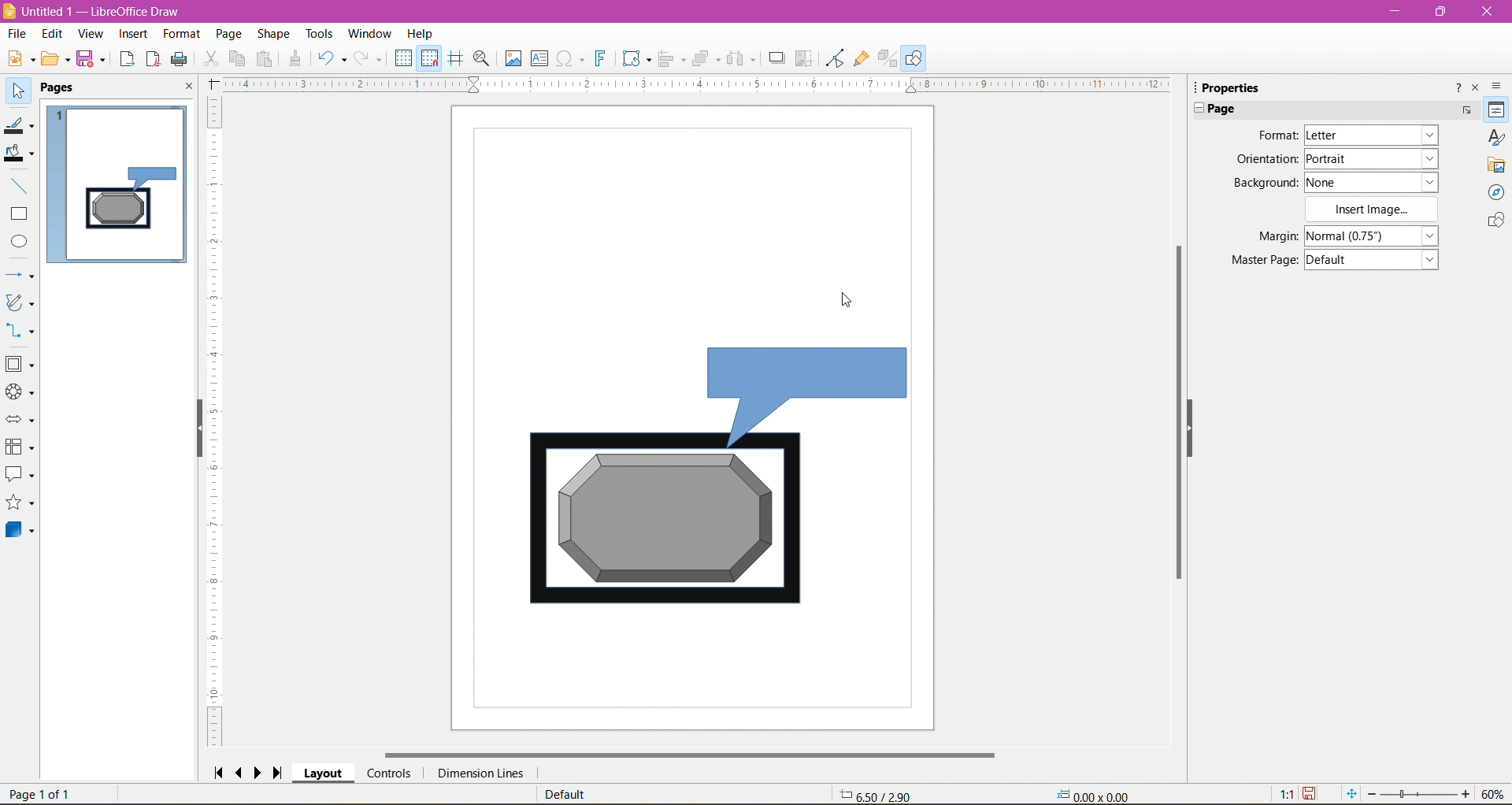 The height and width of the screenshot is (805, 1512). I want to click on Master Page, so click(1259, 261).